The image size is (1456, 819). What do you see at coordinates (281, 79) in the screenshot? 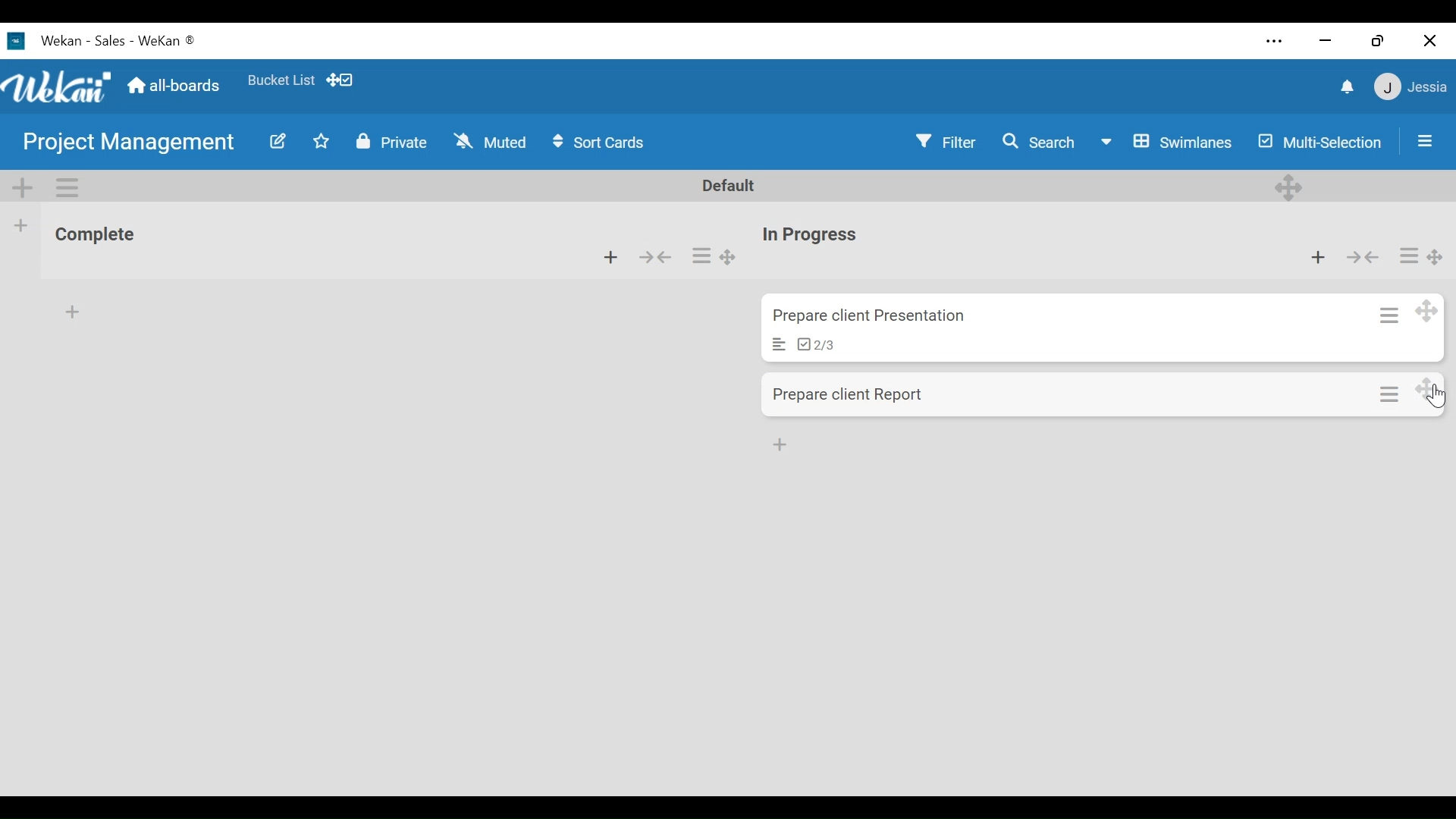
I see `Bucket List` at bounding box center [281, 79].